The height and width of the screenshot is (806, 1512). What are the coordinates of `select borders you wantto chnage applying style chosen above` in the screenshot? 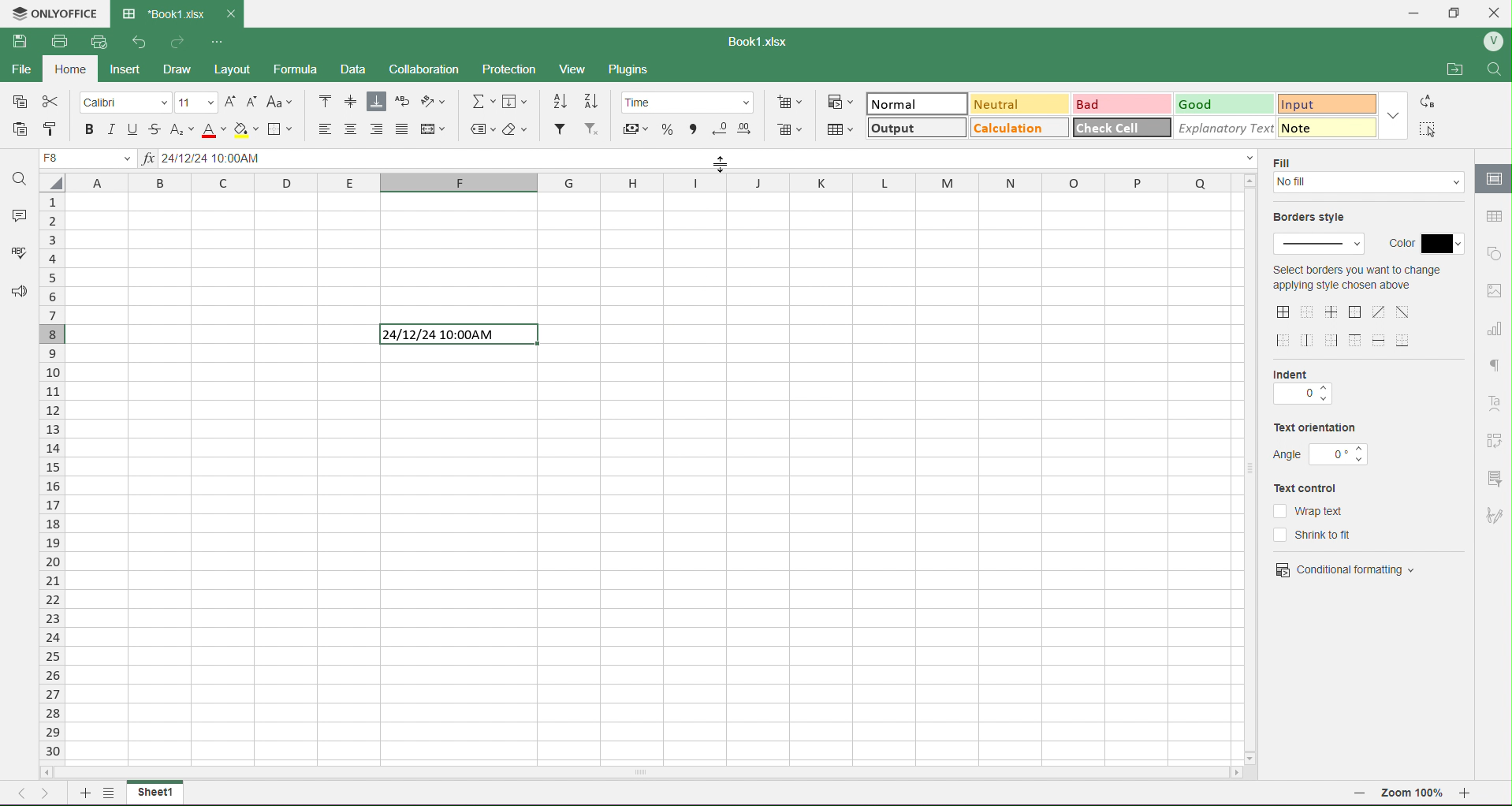 It's located at (1356, 281).